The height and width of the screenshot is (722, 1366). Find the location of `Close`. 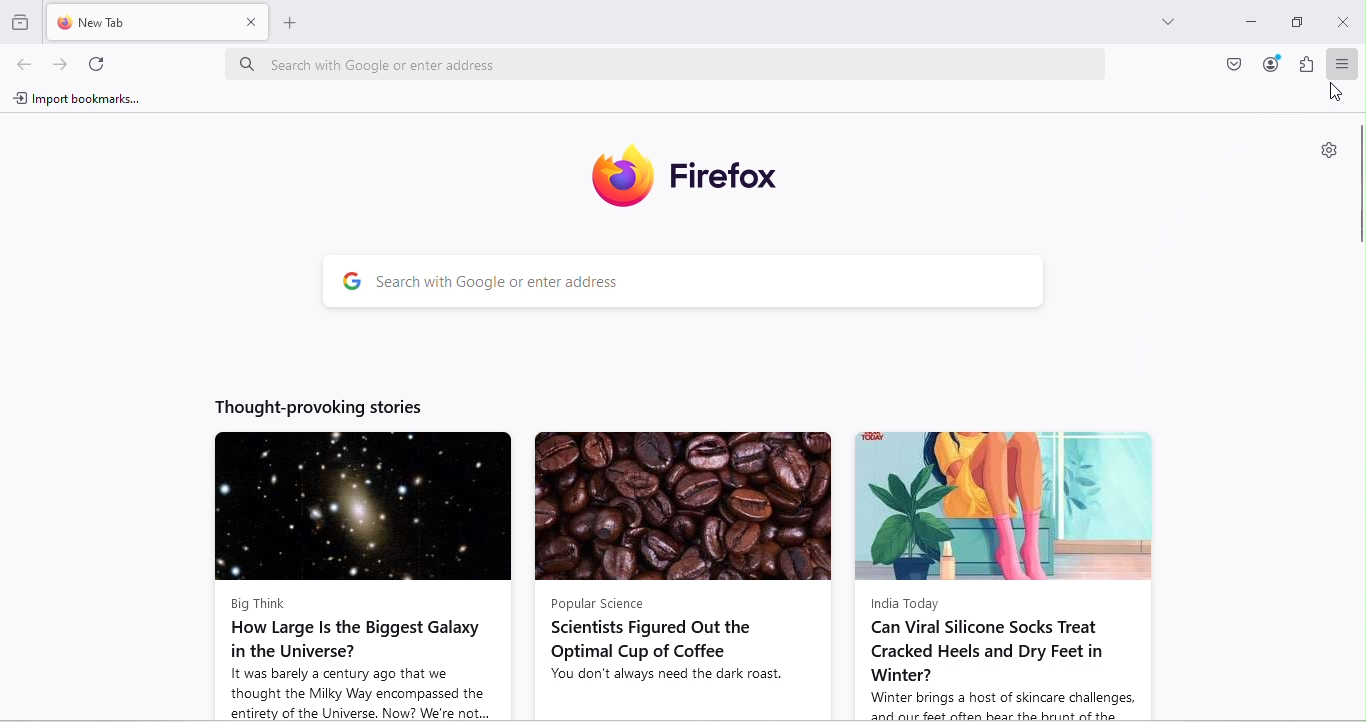

Close is located at coordinates (1337, 23).